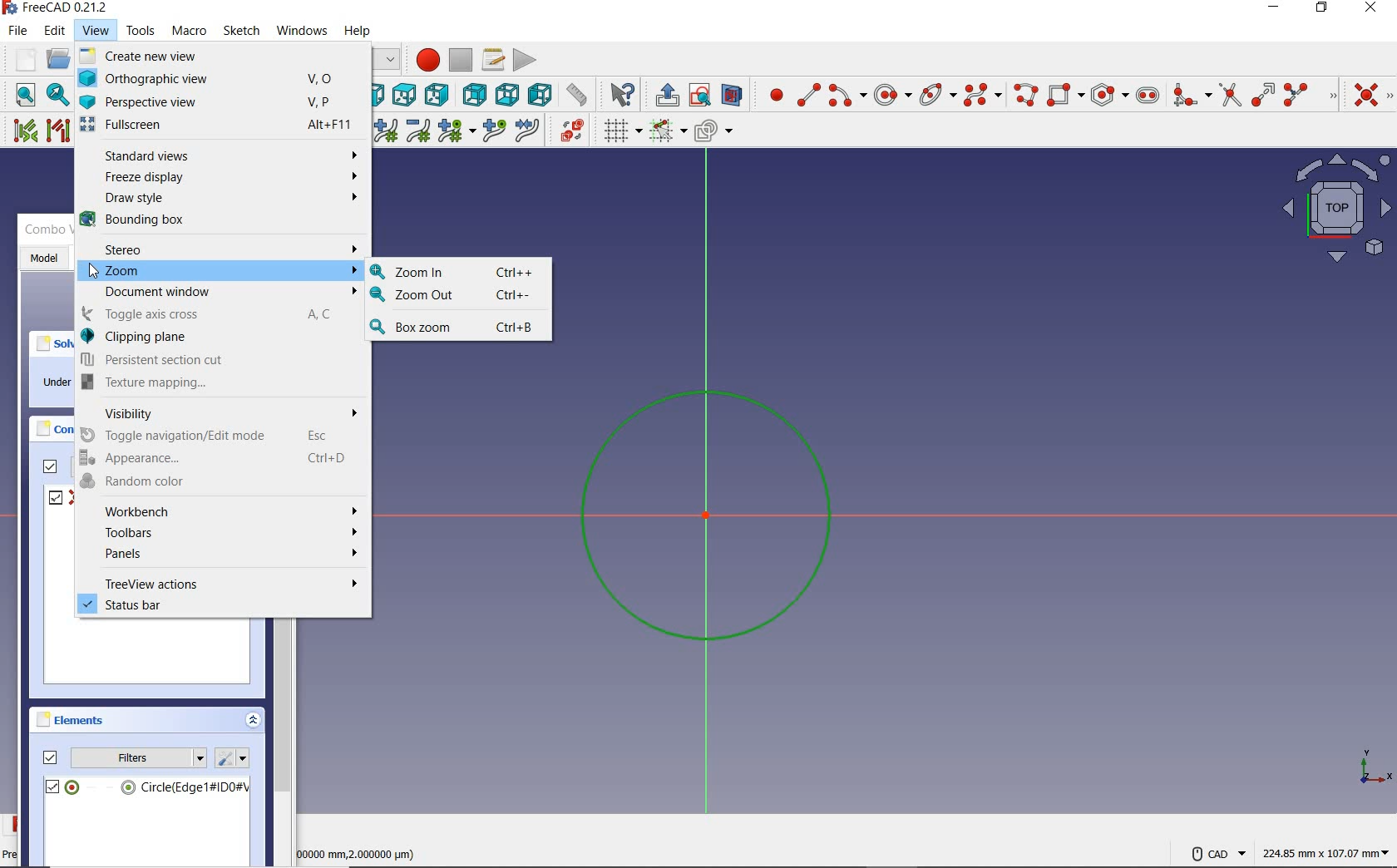 The width and height of the screenshot is (1397, 868). What do you see at coordinates (54, 466) in the screenshot?
I see `filters` at bounding box center [54, 466].